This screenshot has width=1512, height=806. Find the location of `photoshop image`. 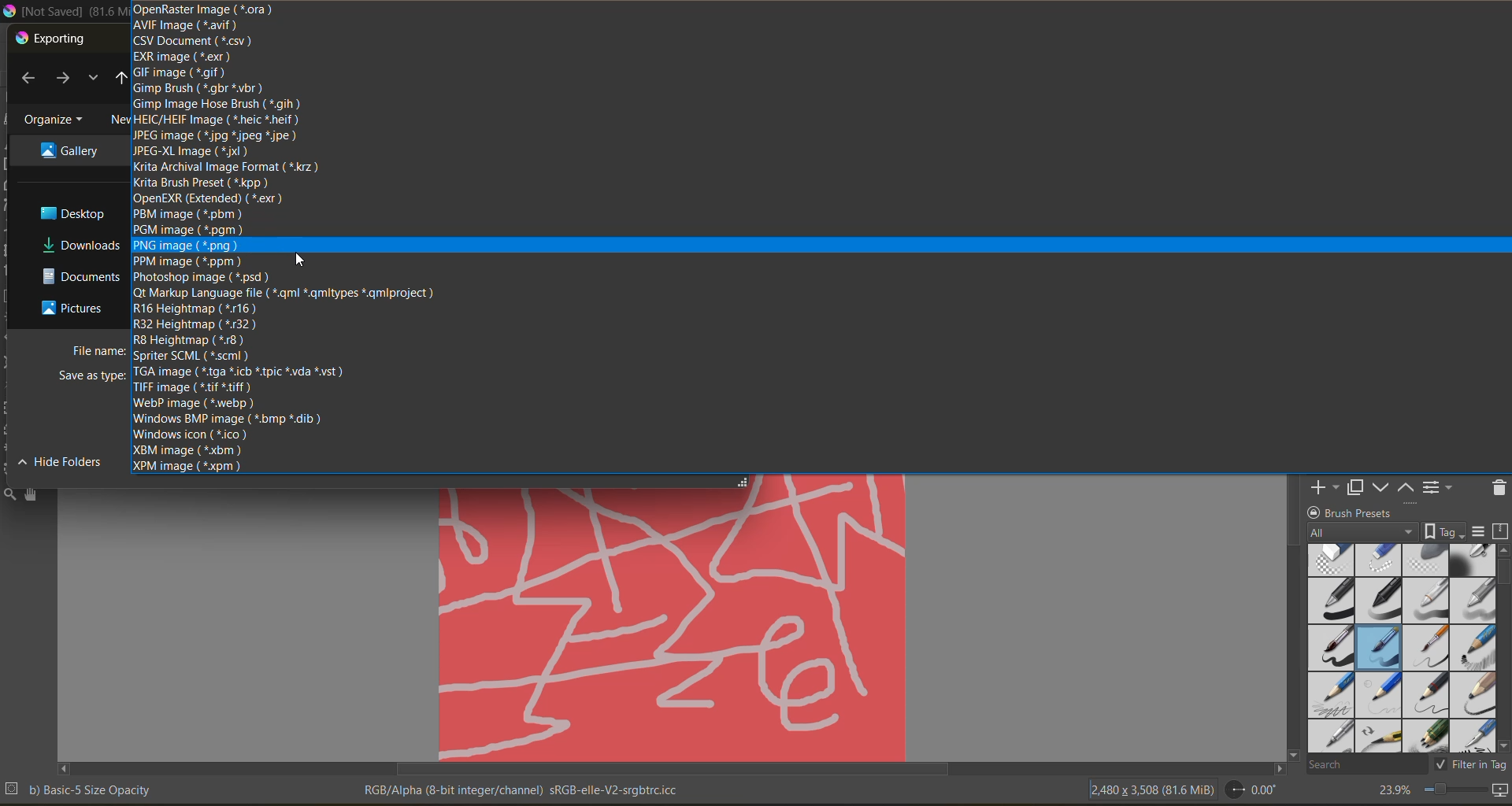

photoshop image is located at coordinates (202, 277).